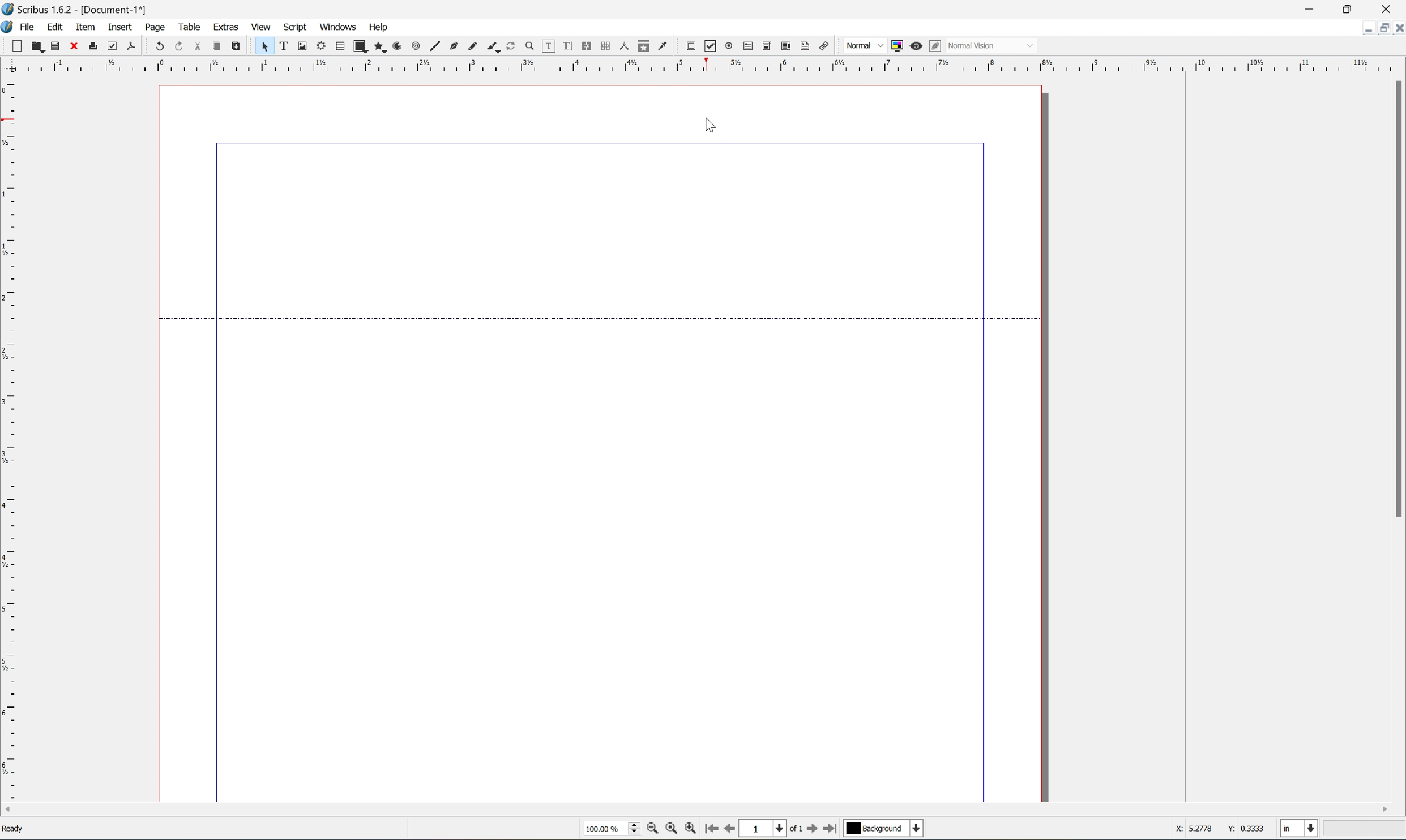  What do you see at coordinates (298, 27) in the screenshot?
I see `script` at bounding box center [298, 27].